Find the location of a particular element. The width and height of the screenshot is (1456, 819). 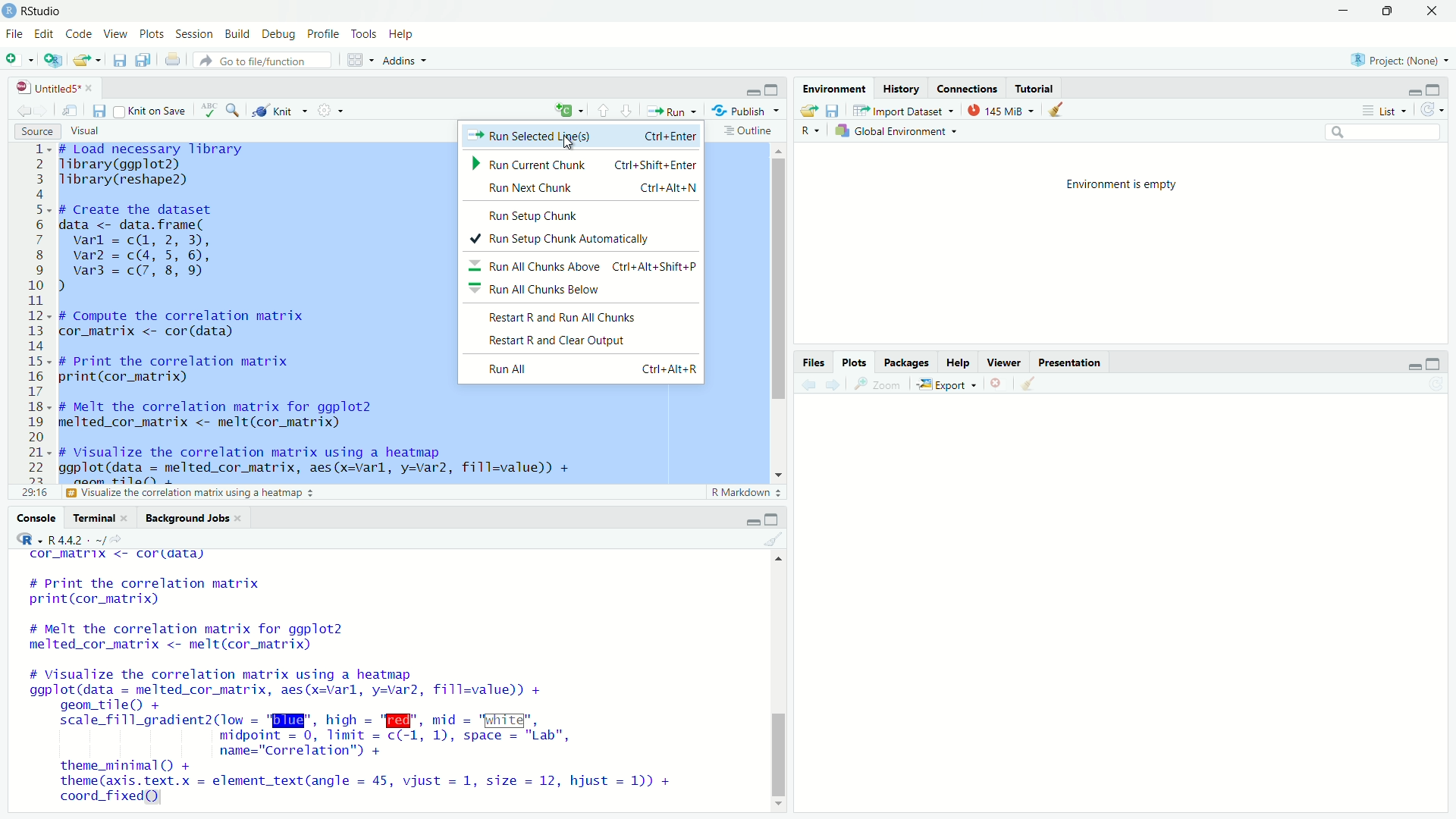

source is located at coordinates (37, 131).